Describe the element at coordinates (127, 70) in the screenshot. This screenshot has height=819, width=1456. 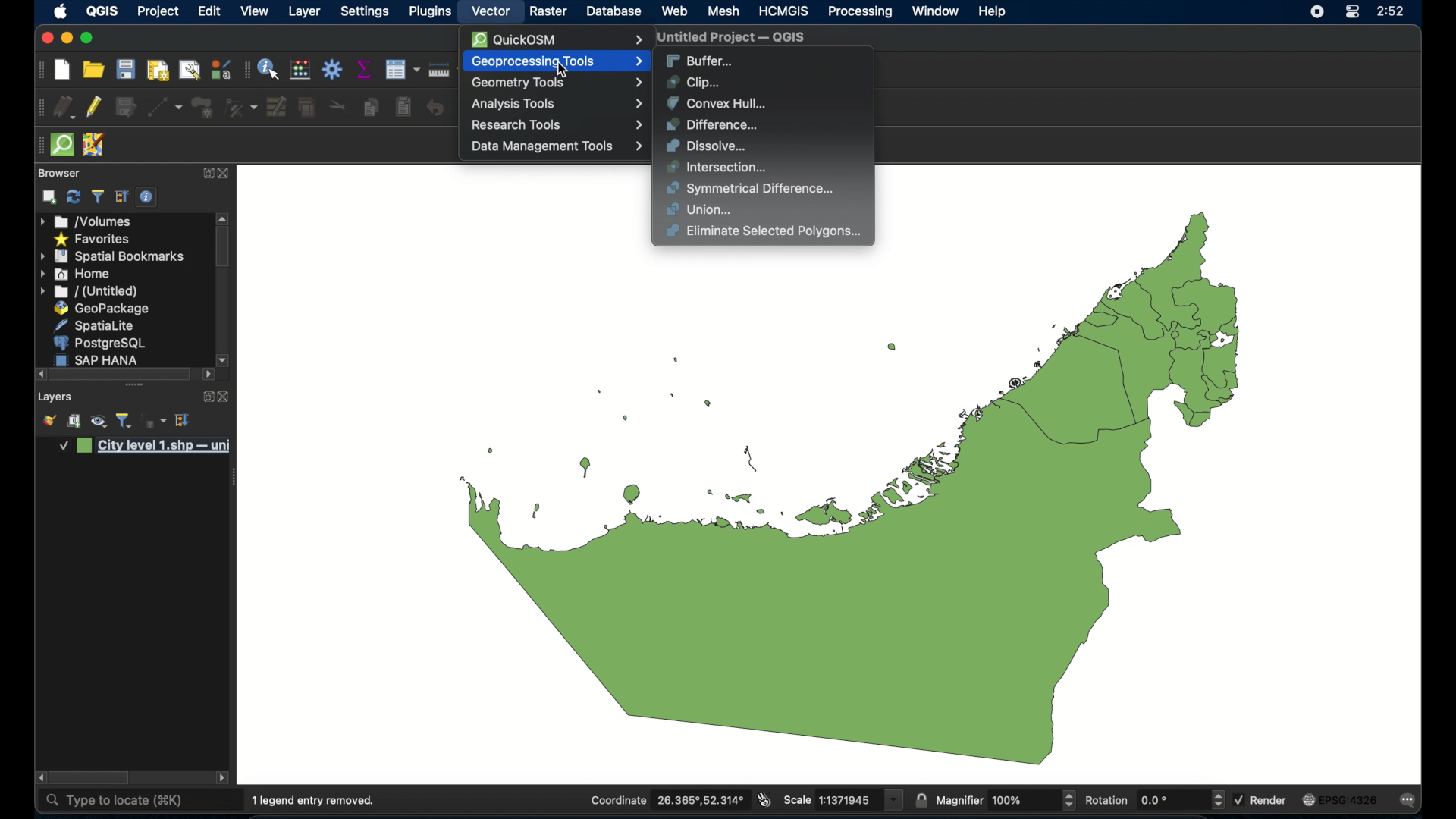
I see `save project` at that location.